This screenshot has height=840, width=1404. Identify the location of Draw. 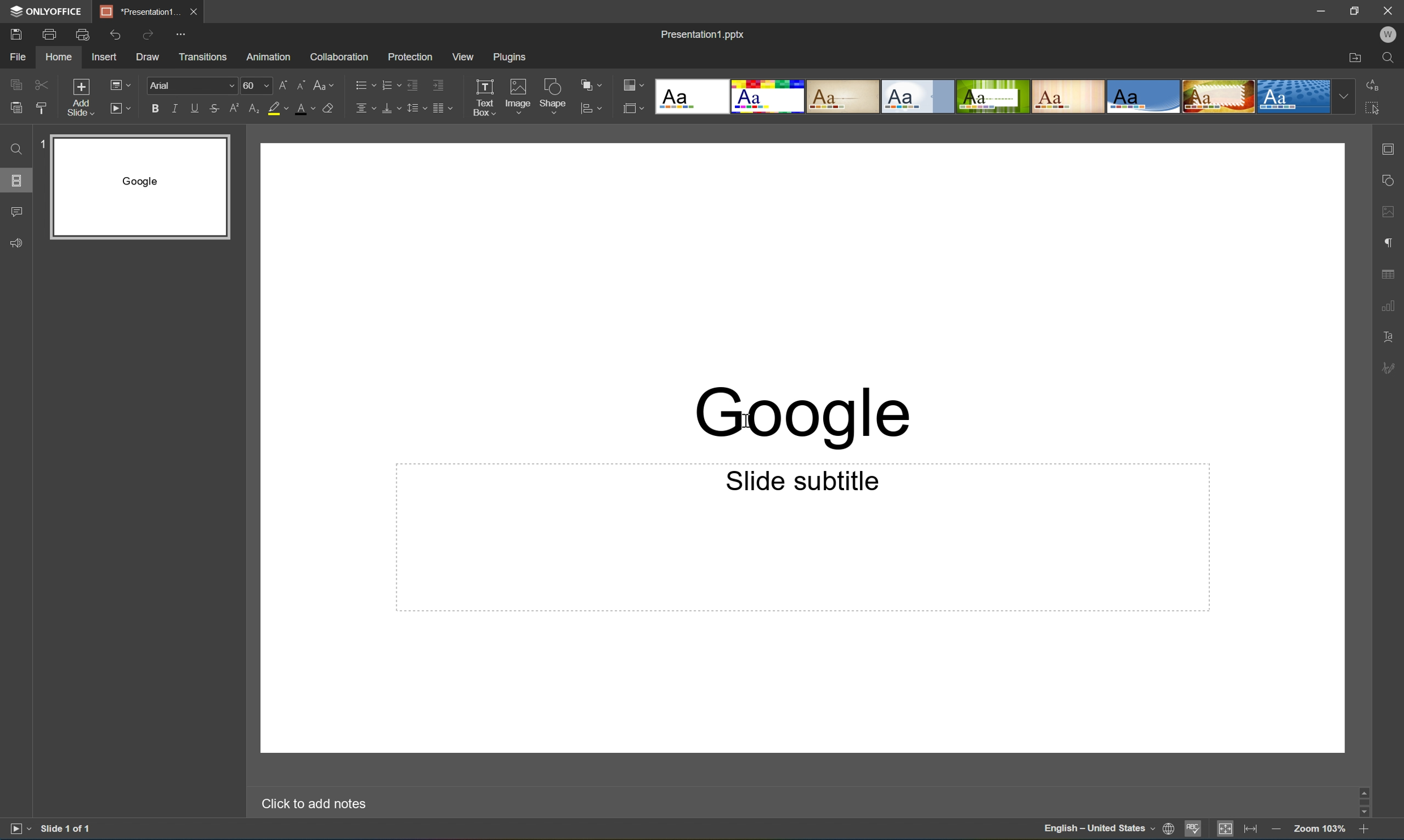
(147, 57).